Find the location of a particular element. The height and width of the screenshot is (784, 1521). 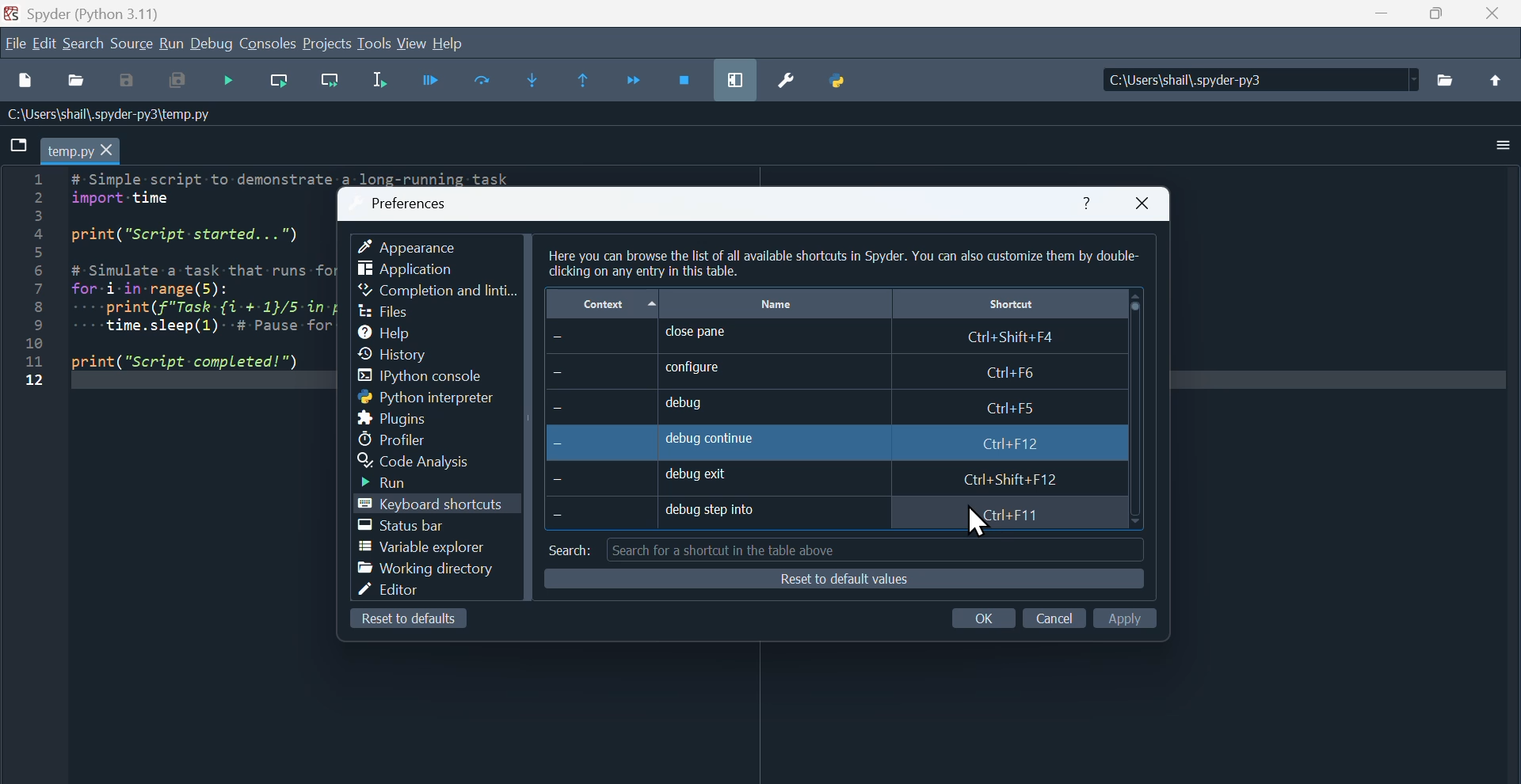

tools is located at coordinates (375, 47).